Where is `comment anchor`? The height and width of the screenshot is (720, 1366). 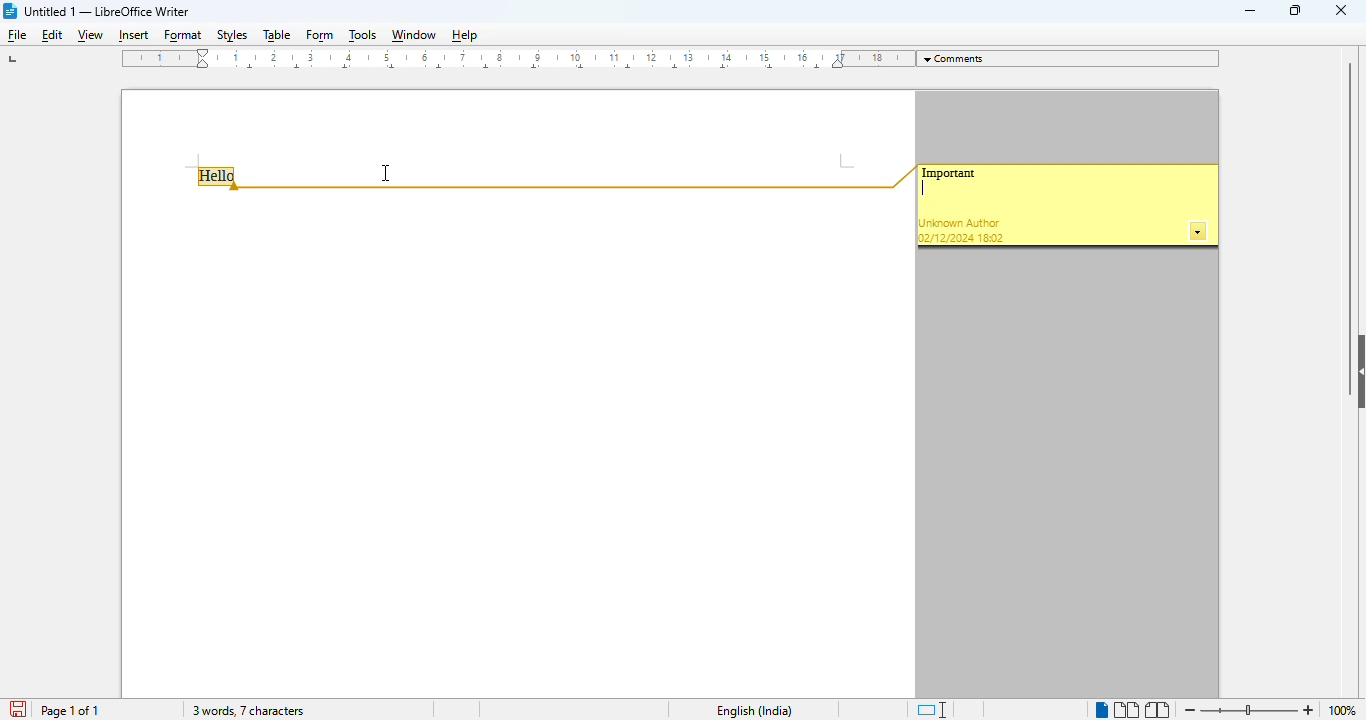
comment anchor is located at coordinates (580, 178).